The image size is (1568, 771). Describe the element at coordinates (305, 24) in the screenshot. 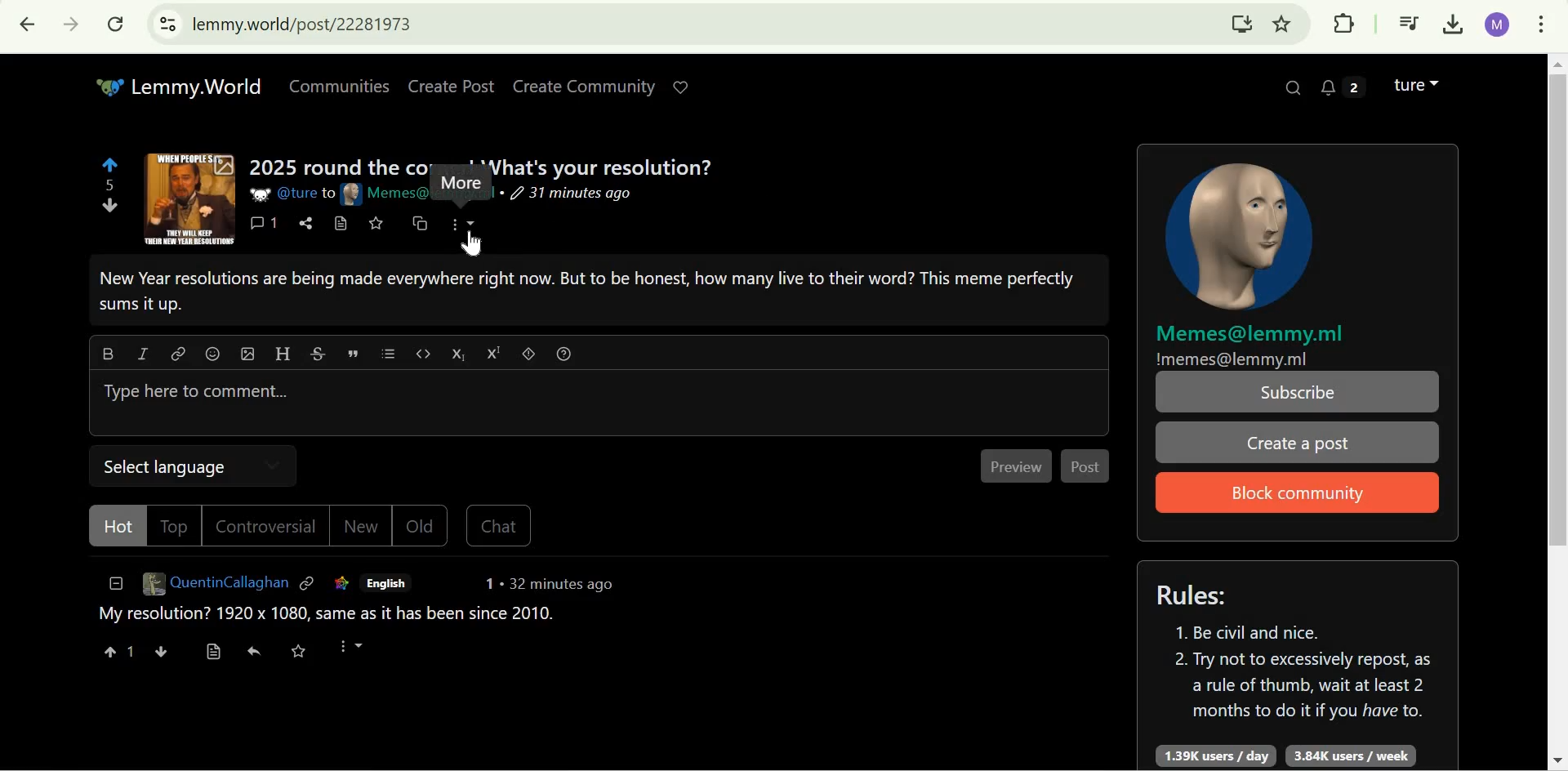

I see `lemmy.world/post/22281973` at that location.